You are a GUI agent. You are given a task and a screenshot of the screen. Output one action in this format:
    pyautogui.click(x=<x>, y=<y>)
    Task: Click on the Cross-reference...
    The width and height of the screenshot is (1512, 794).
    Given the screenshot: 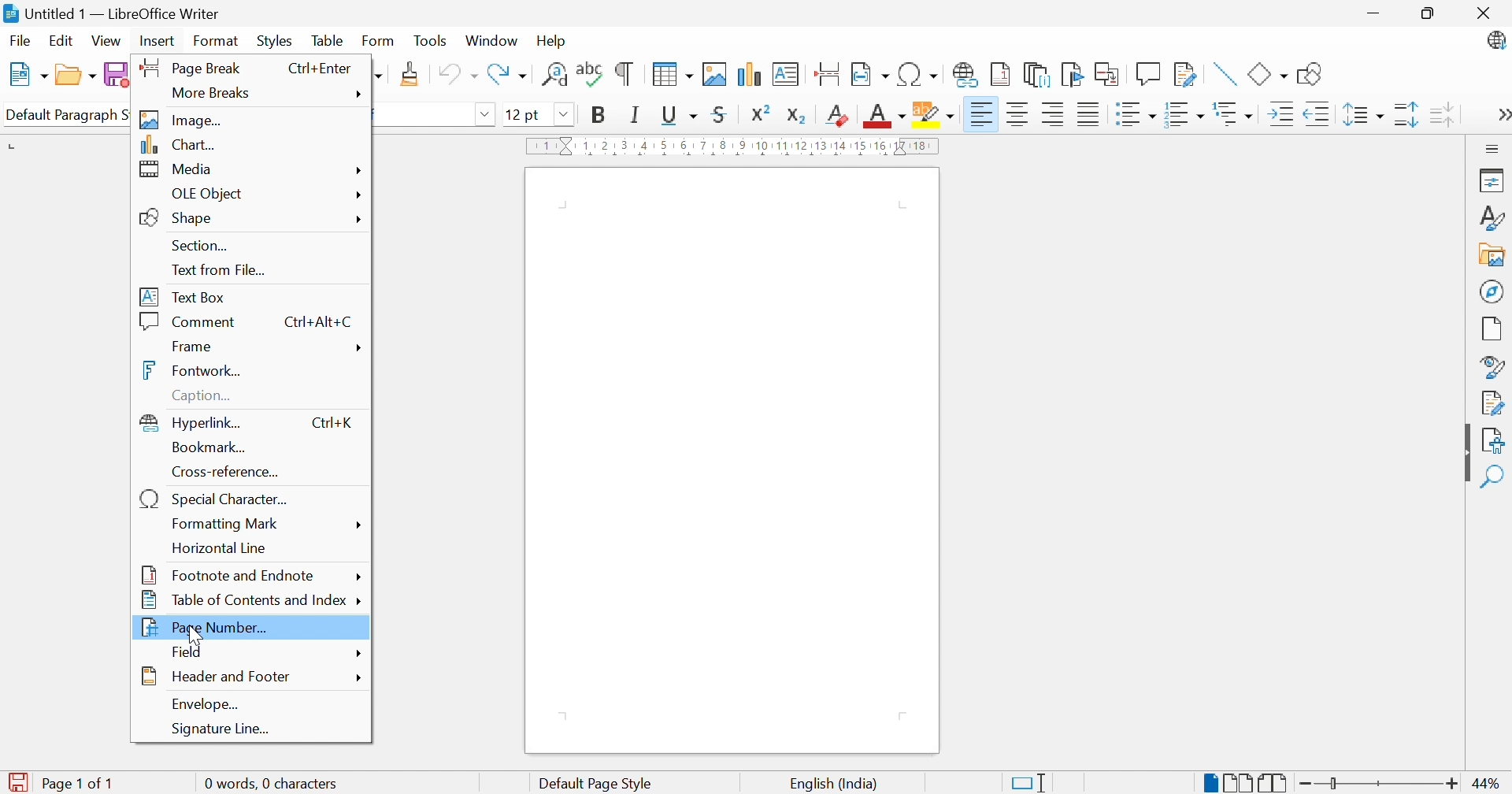 What is the action you would take?
    pyautogui.click(x=230, y=472)
    